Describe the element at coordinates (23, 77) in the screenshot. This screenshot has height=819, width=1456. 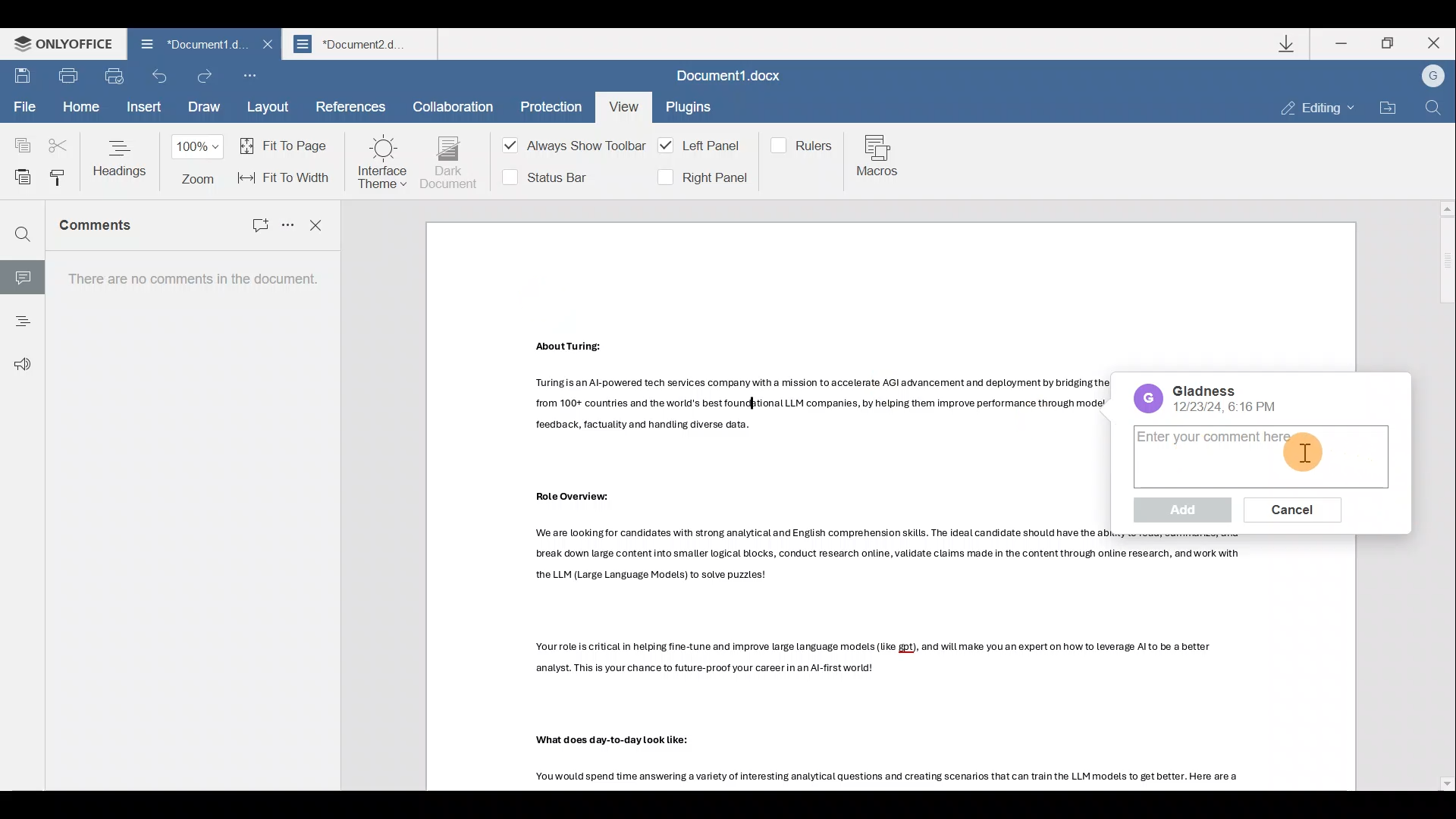
I see `Save` at that location.